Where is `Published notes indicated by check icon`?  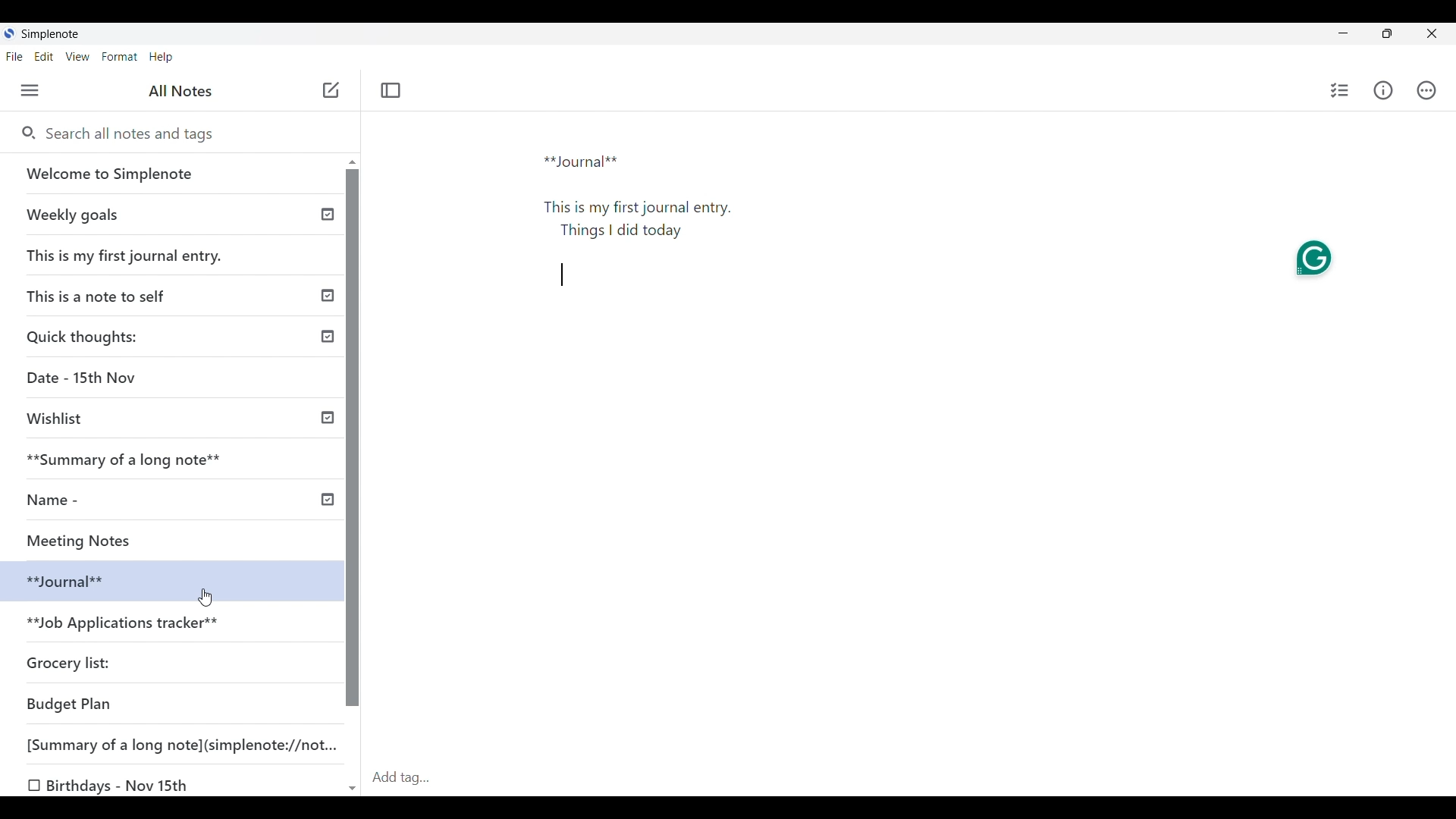 Published notes indicated by check icon is located at coordinates (328, 357).